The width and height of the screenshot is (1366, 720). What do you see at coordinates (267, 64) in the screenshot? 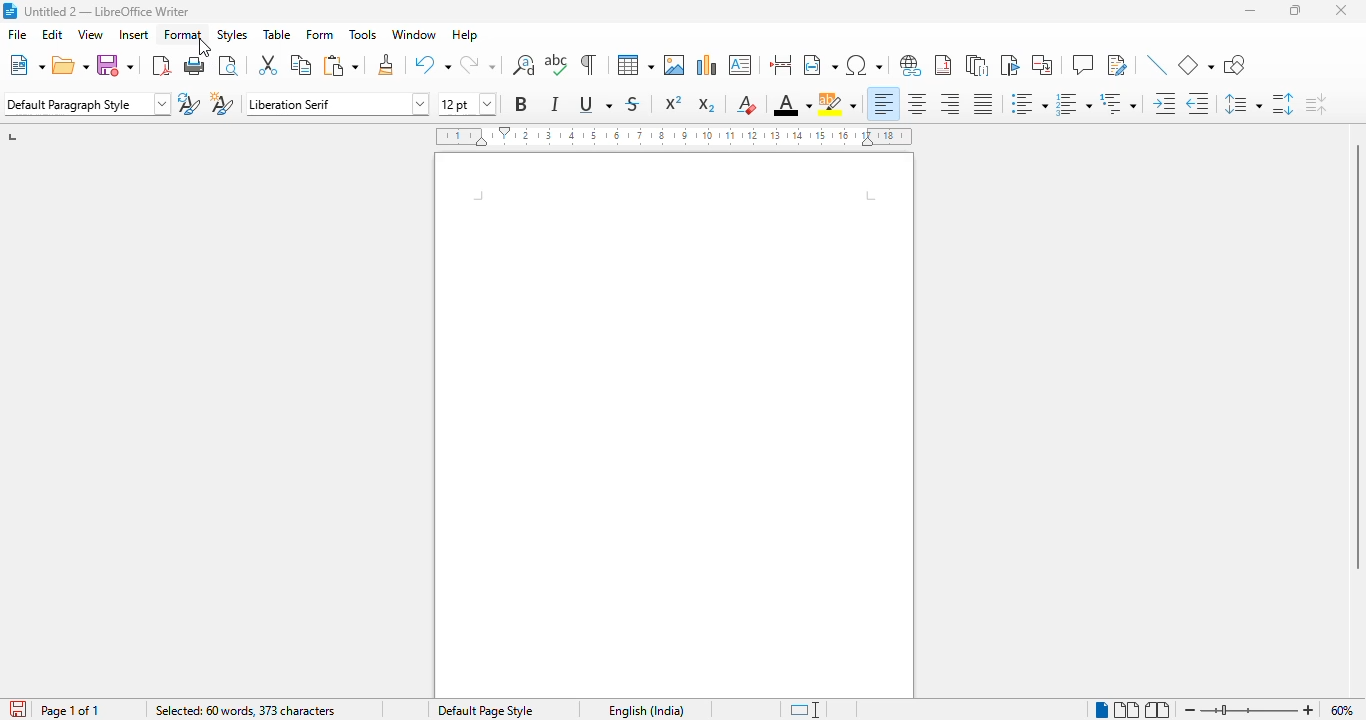
I see `cut` at bounding box center [267, 64].